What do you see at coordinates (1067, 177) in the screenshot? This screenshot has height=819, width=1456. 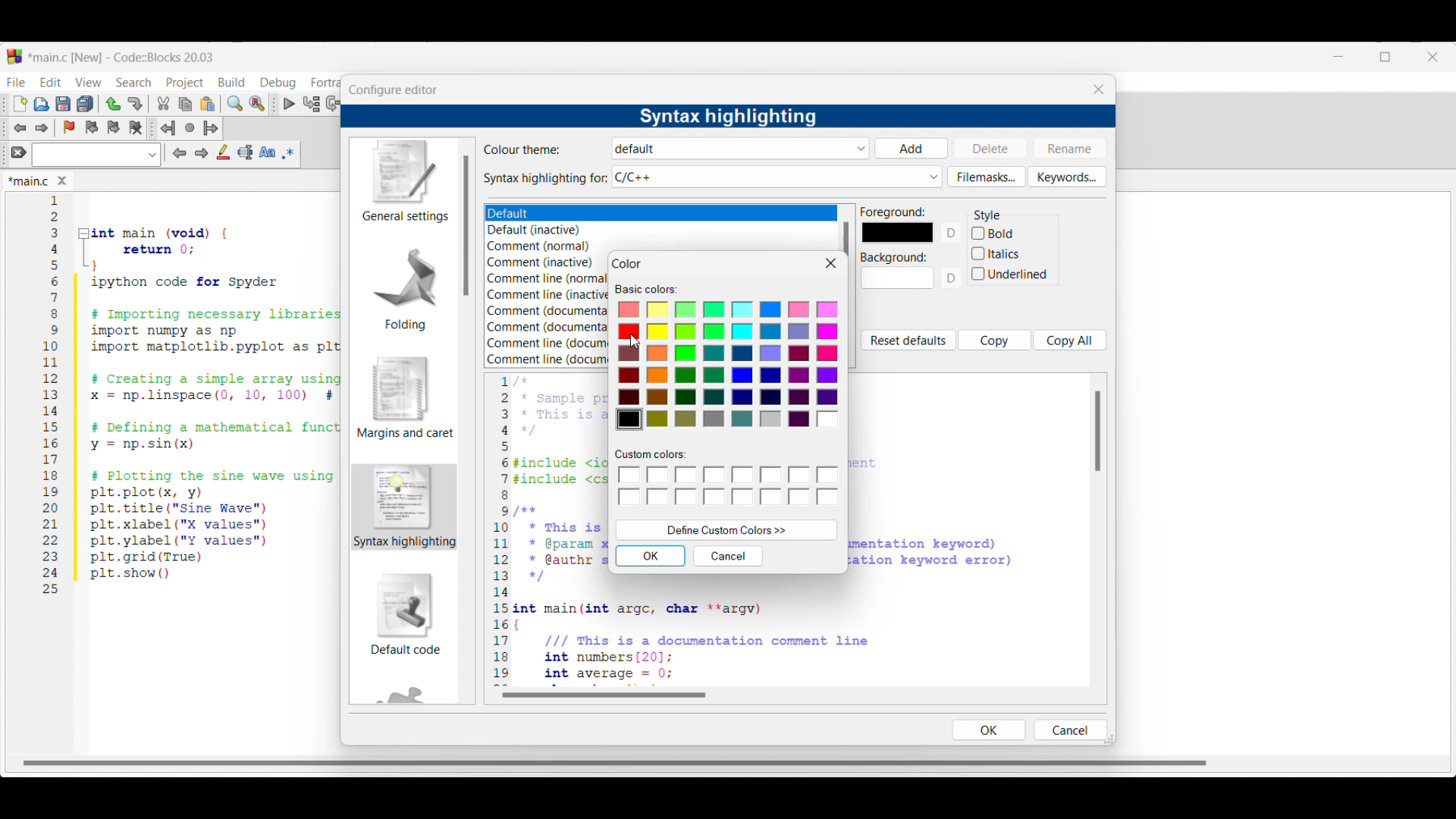 I see `Keywords` at bounding box center [1067, 177].